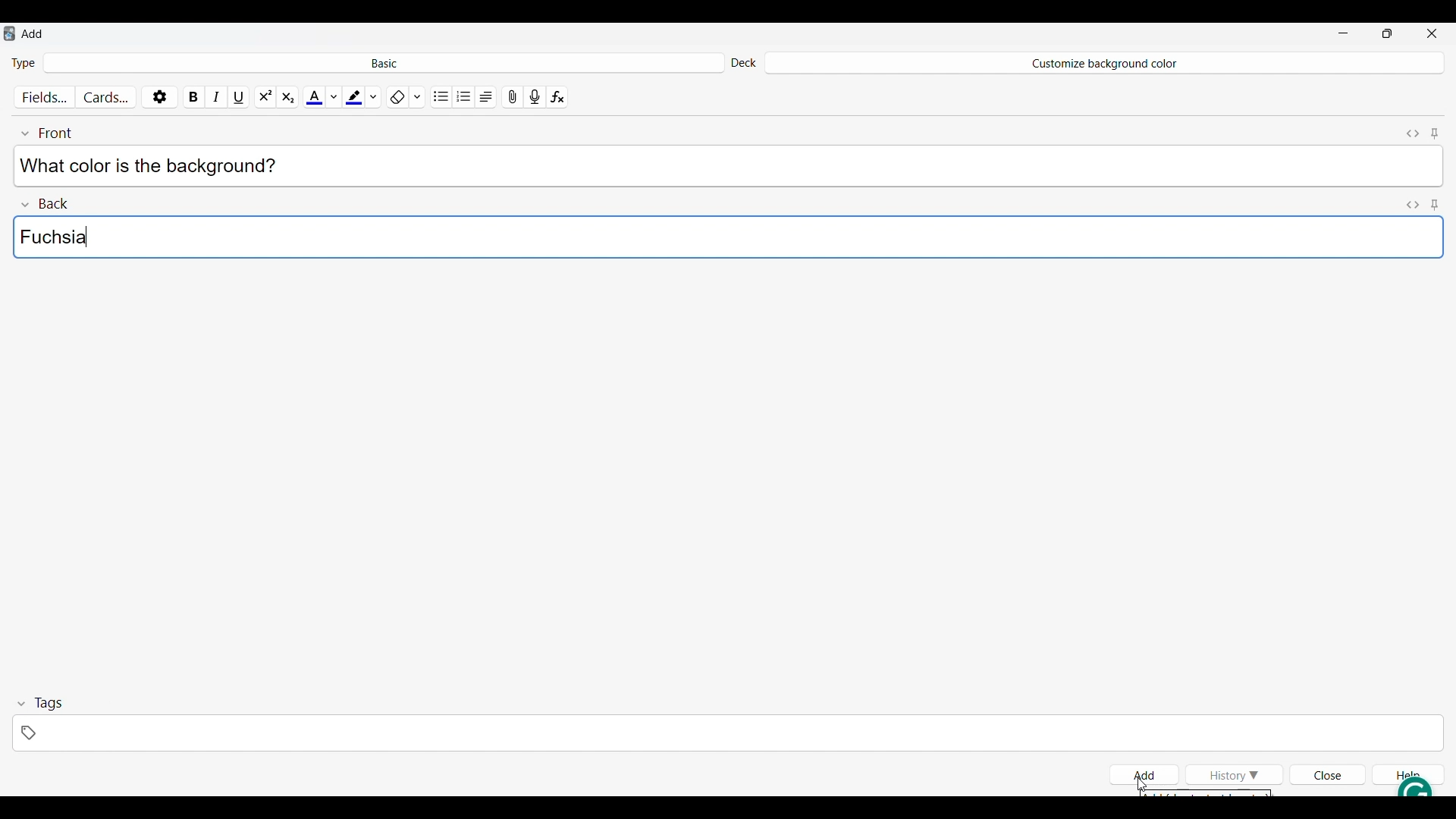 The image size is (1456, 819). Describe the element at coordinates (1329, 775) in the screenshot. I see `` at that location.